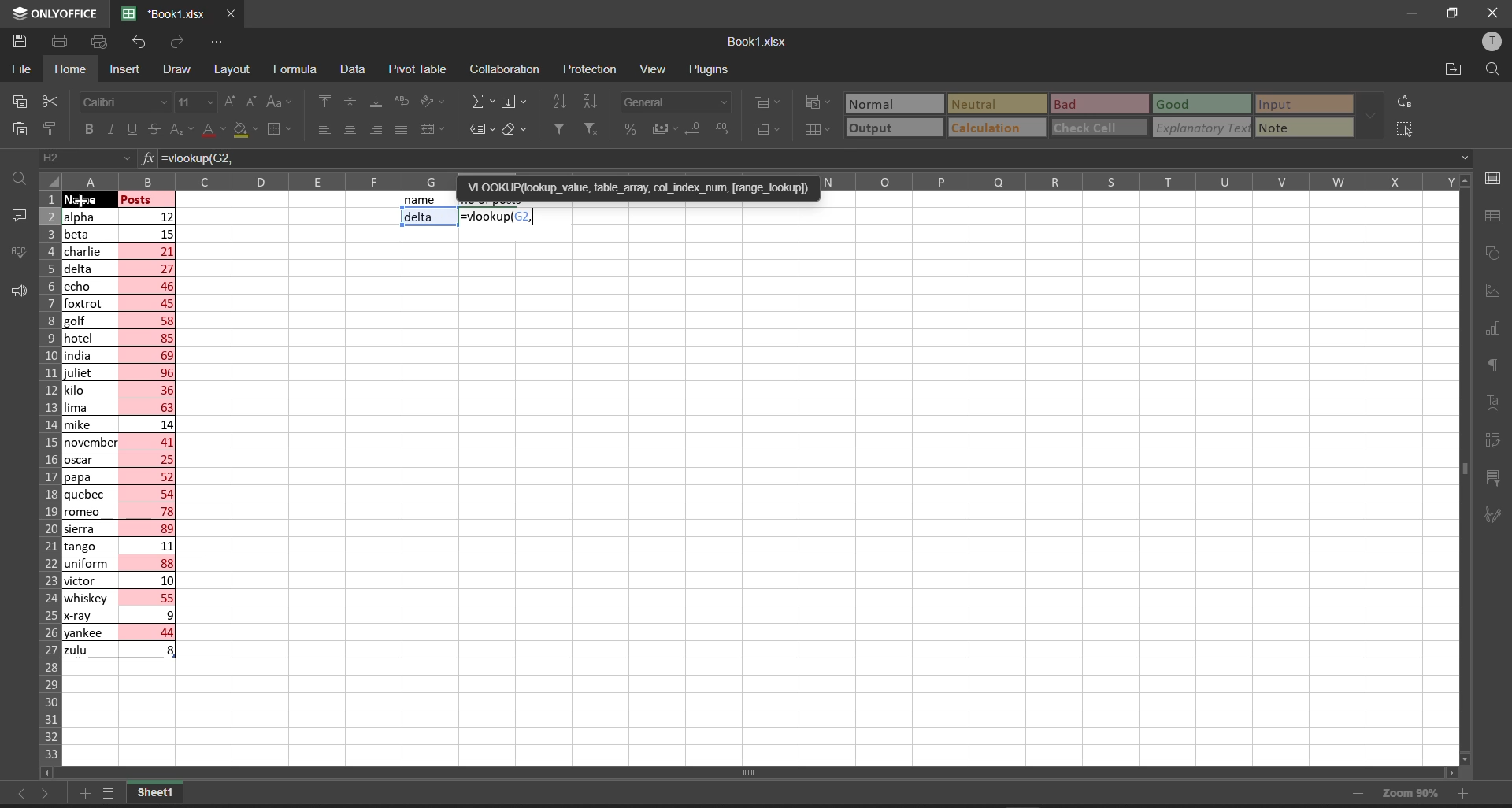 The image size is (1512, 808). Describe the element at coordinates (282, 130) in the screenshot. I see `borders` at that location.